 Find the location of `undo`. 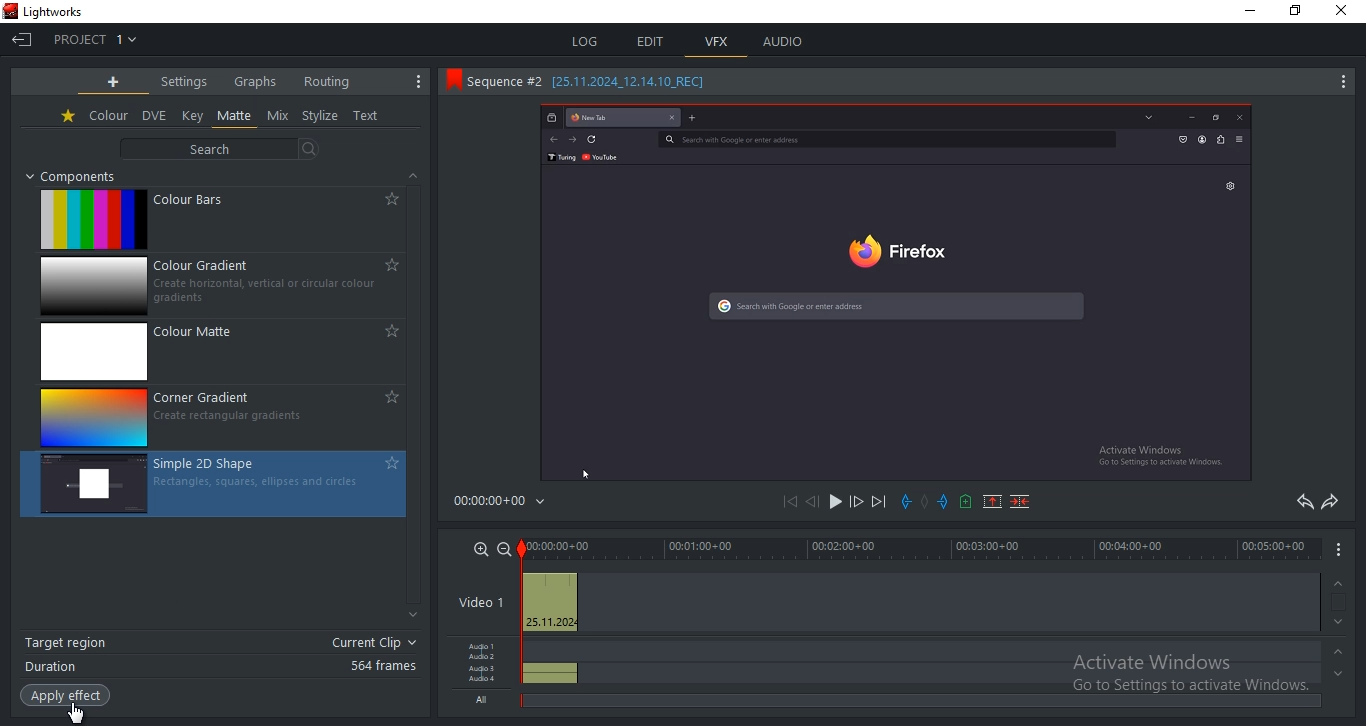

undo is located at coordinates (1302, 502).